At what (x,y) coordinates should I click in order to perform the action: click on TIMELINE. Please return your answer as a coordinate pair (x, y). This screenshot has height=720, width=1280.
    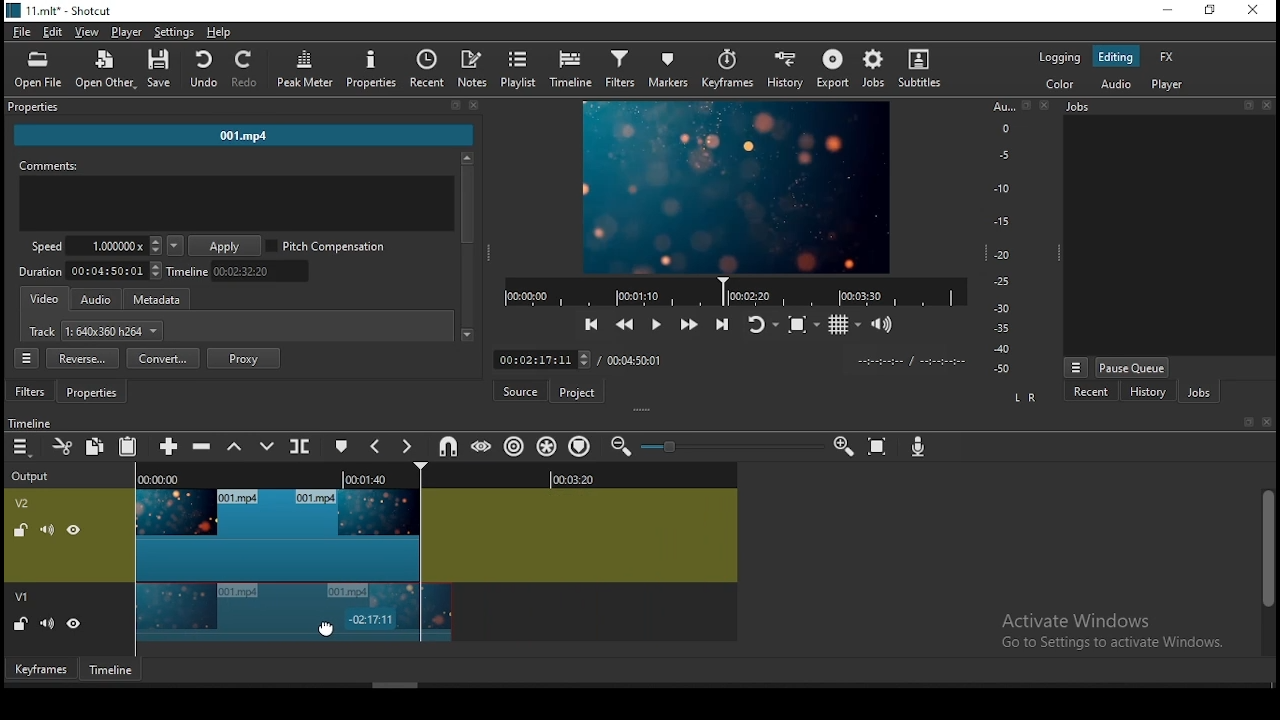
    Looking at the image, I should click on (734, 291).